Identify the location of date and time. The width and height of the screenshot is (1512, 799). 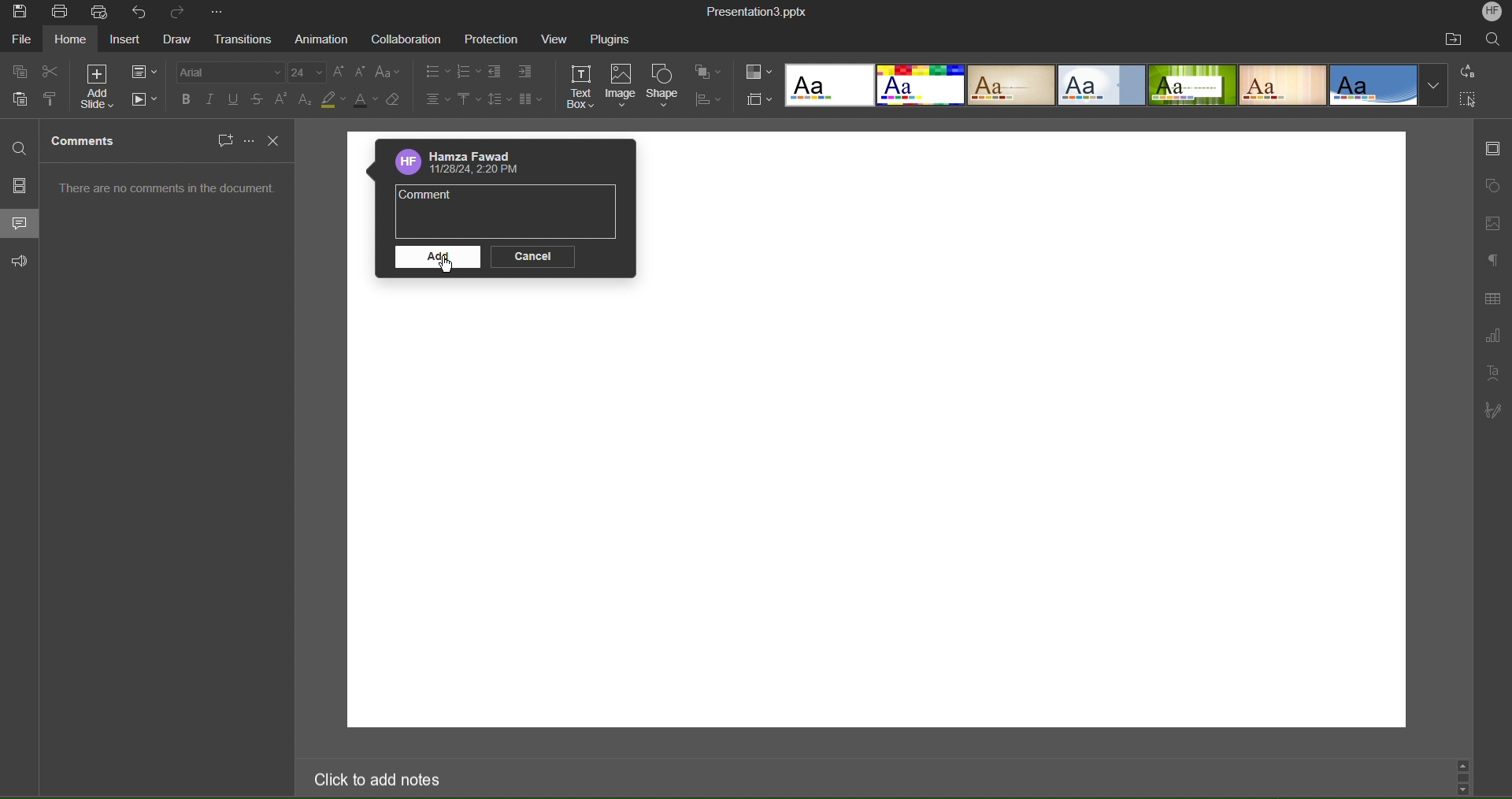
(476, 171).